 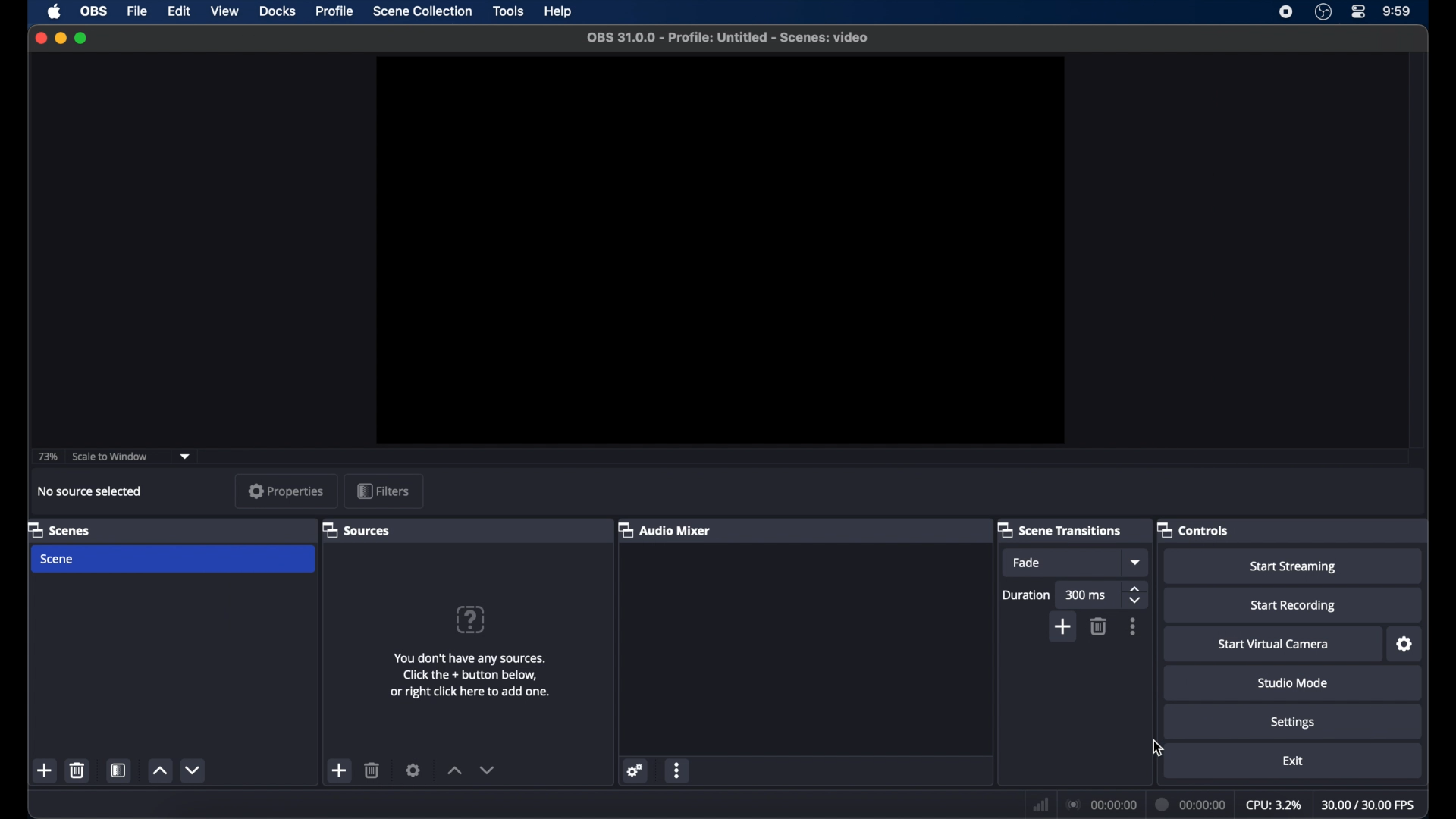 I want to click on screen recorder icon, so click(x=1286, y=12).